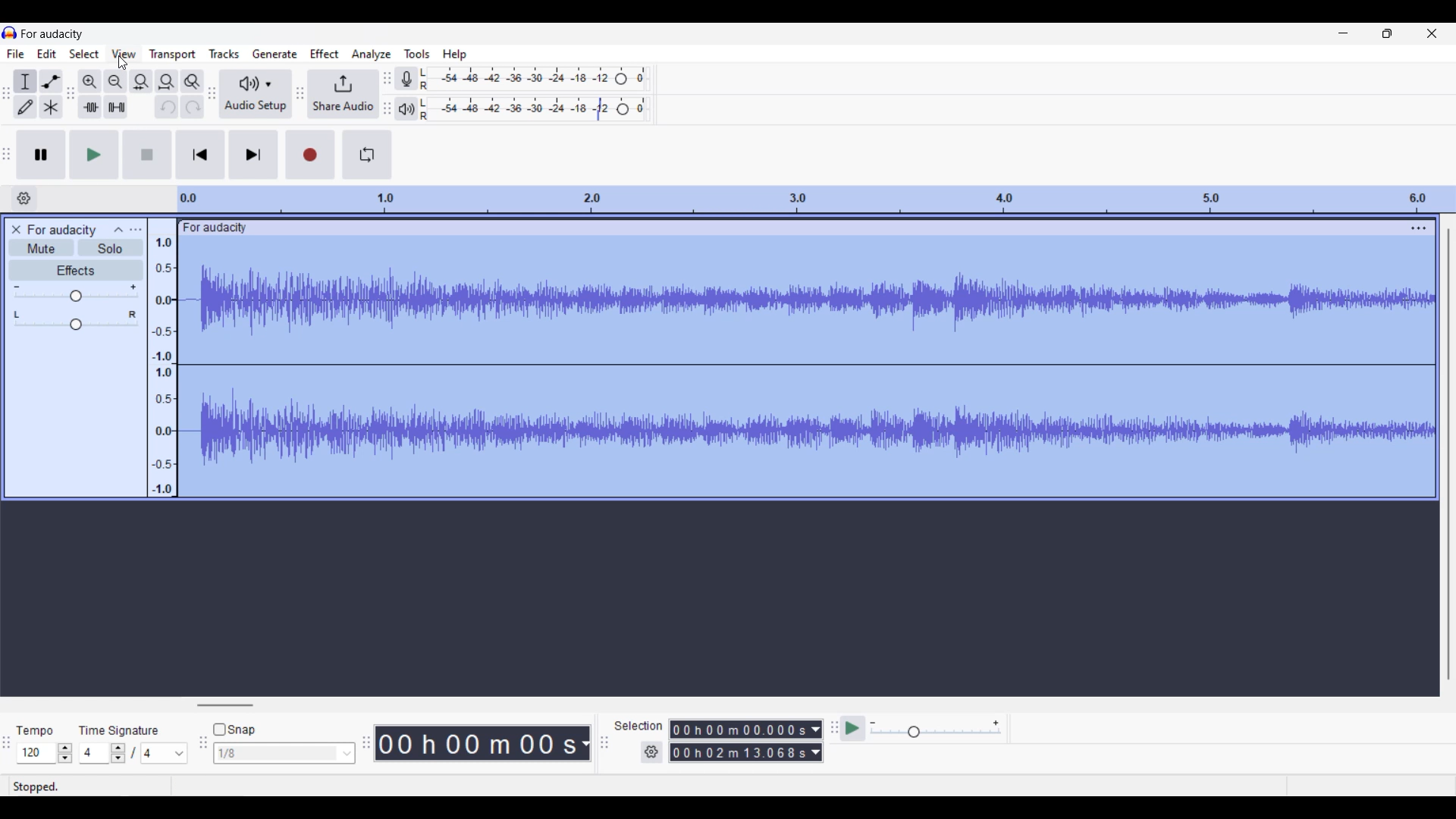 The width and height of the screenshot is (1456, 819). I want to click on Indicates selection duration settings, so click(639, 726).